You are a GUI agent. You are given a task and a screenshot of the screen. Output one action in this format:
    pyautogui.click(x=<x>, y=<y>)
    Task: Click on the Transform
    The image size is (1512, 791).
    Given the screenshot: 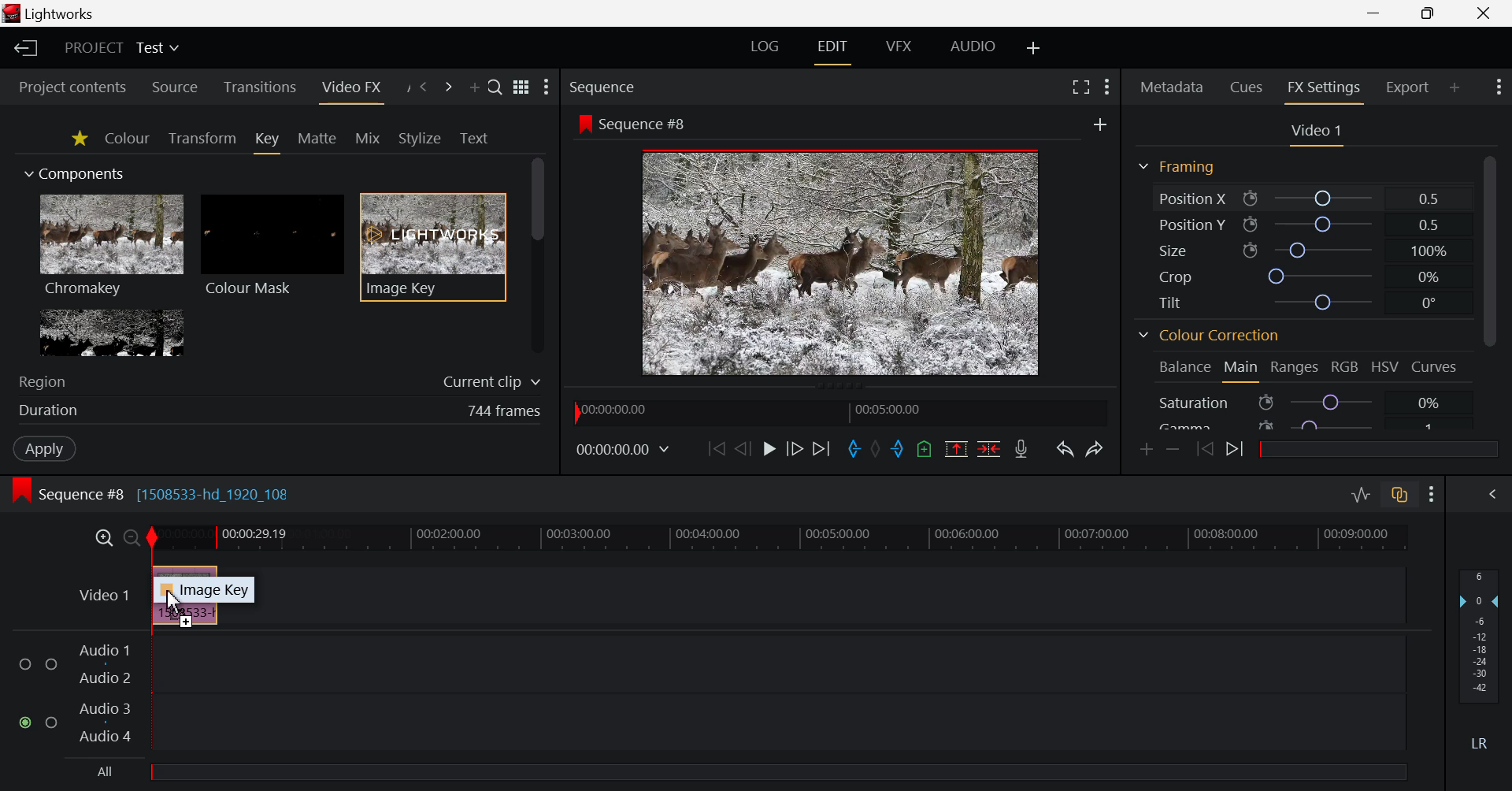 What is the action you would take?
    pyautogui.click(x=200, y=139)
    